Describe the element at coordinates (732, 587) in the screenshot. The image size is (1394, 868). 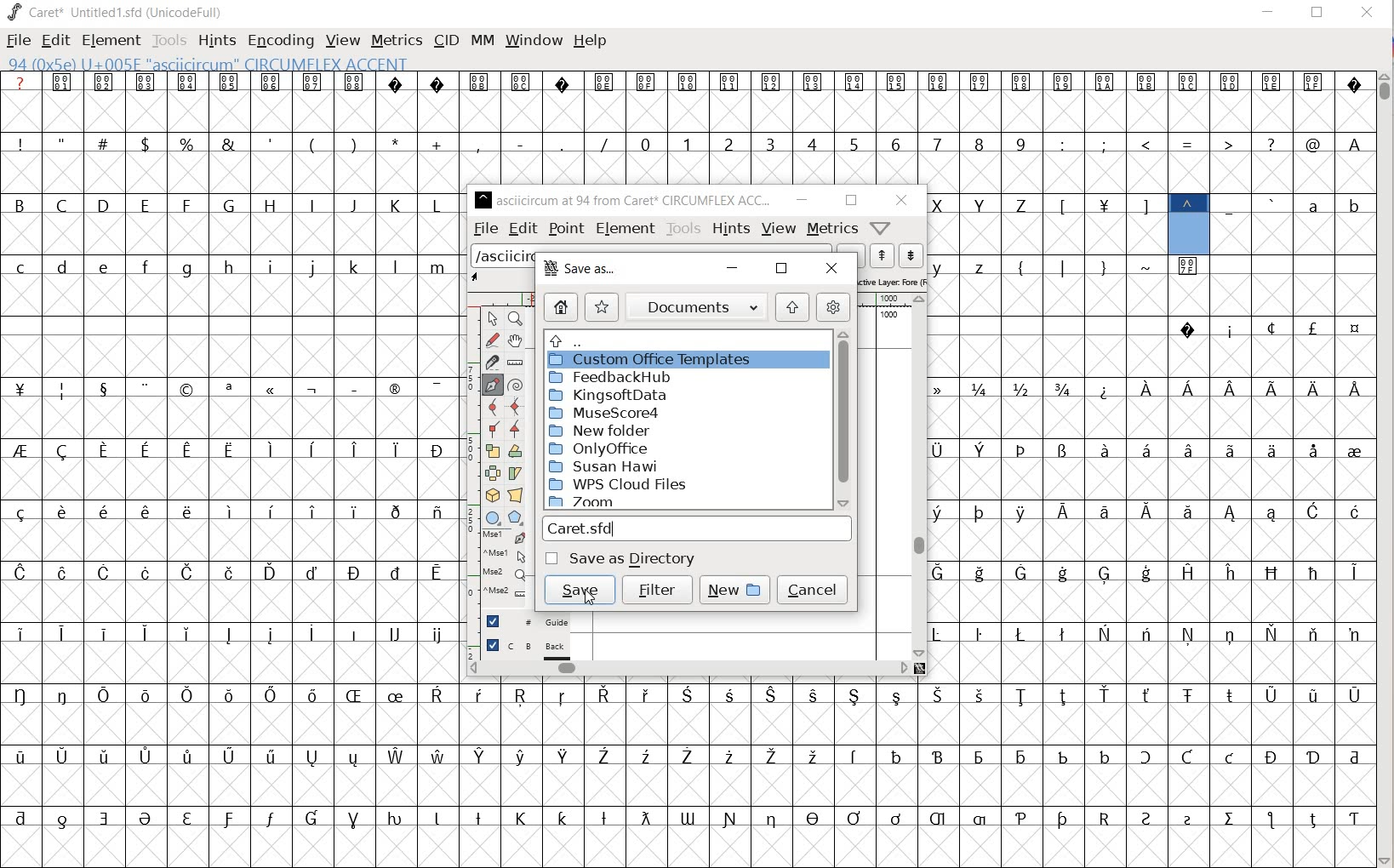
I see `New` at that location.